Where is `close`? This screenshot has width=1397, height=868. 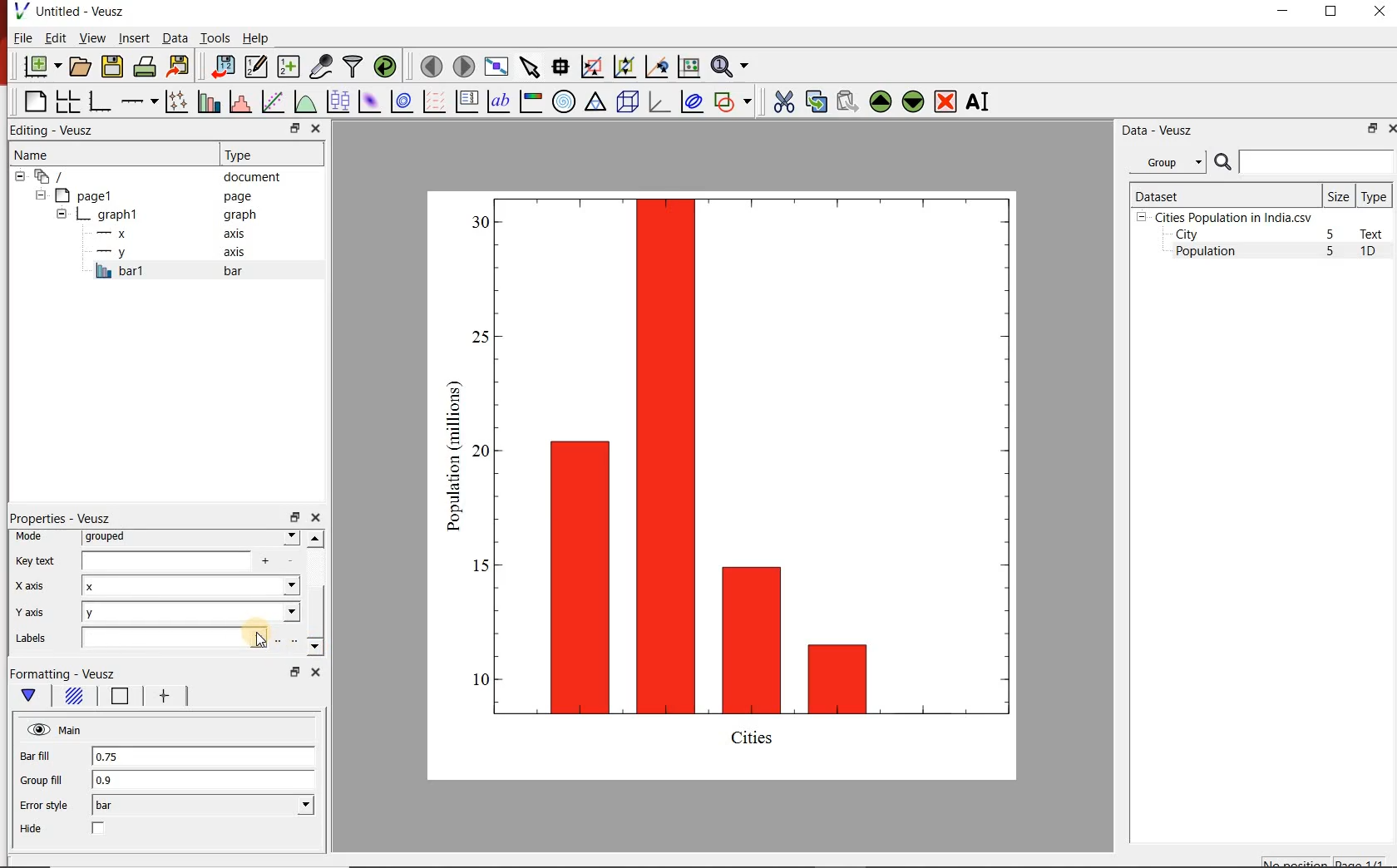 close is located at coordinates (1390, 128).